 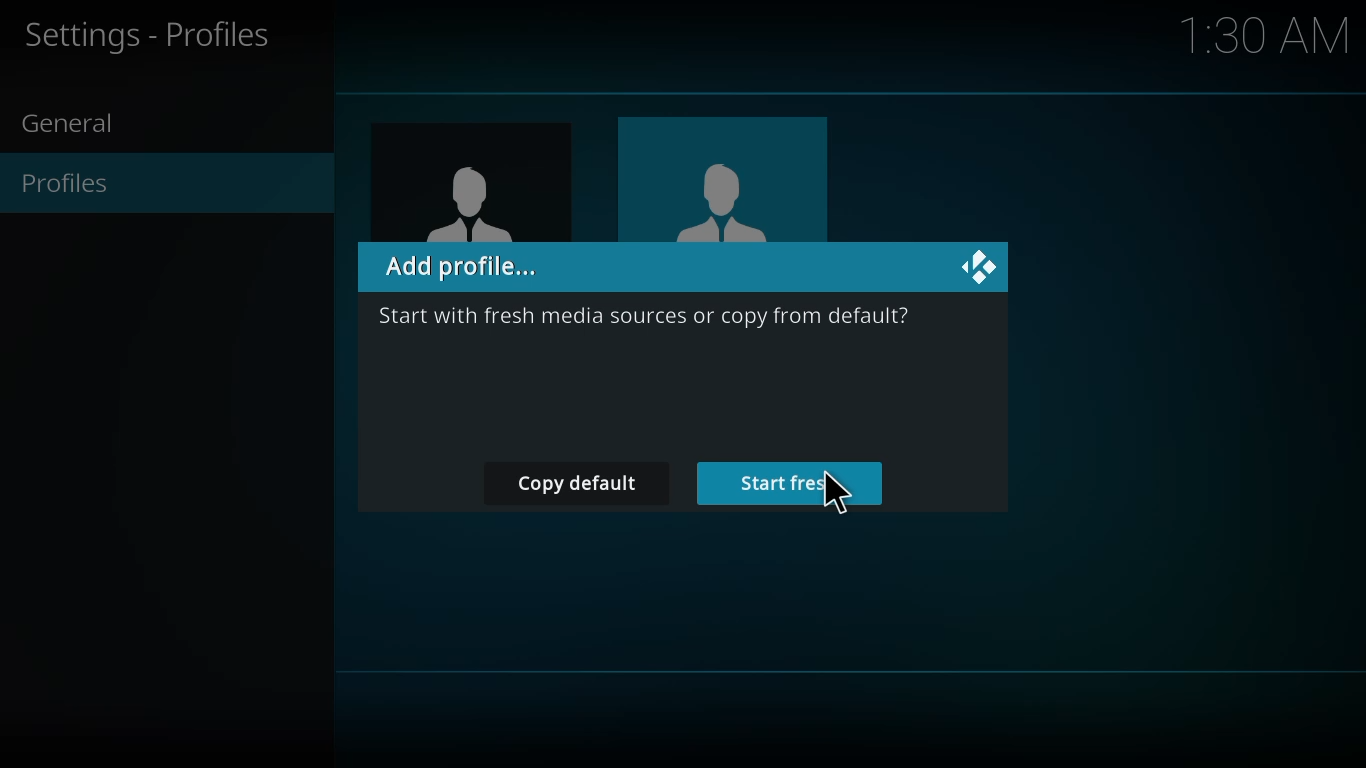 What do you see at coordinates (78, 125) in the screenshot?
I see `general` at bounding box center [78, 125].